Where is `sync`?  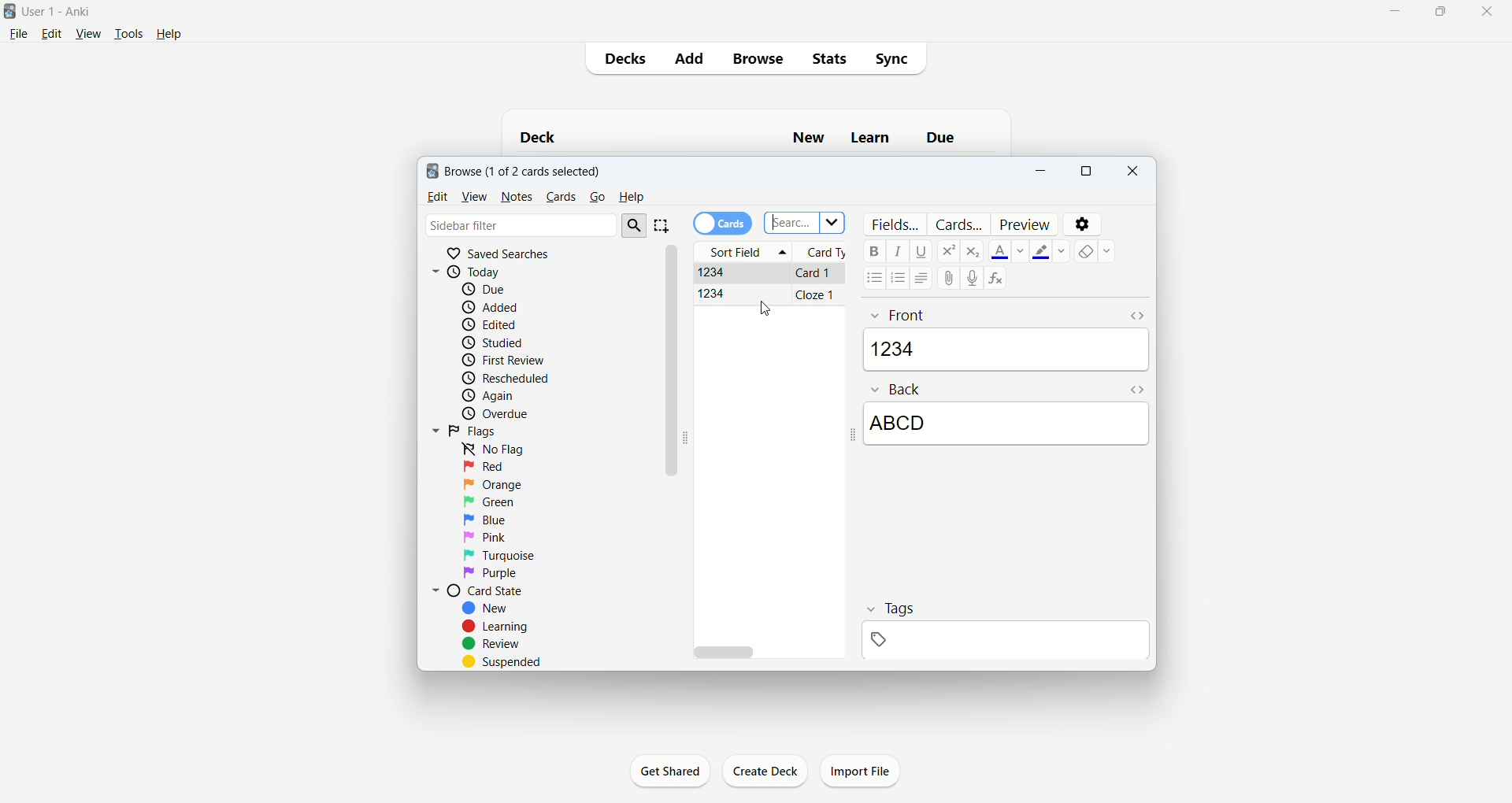 sync is located at coordinates (894, 60).